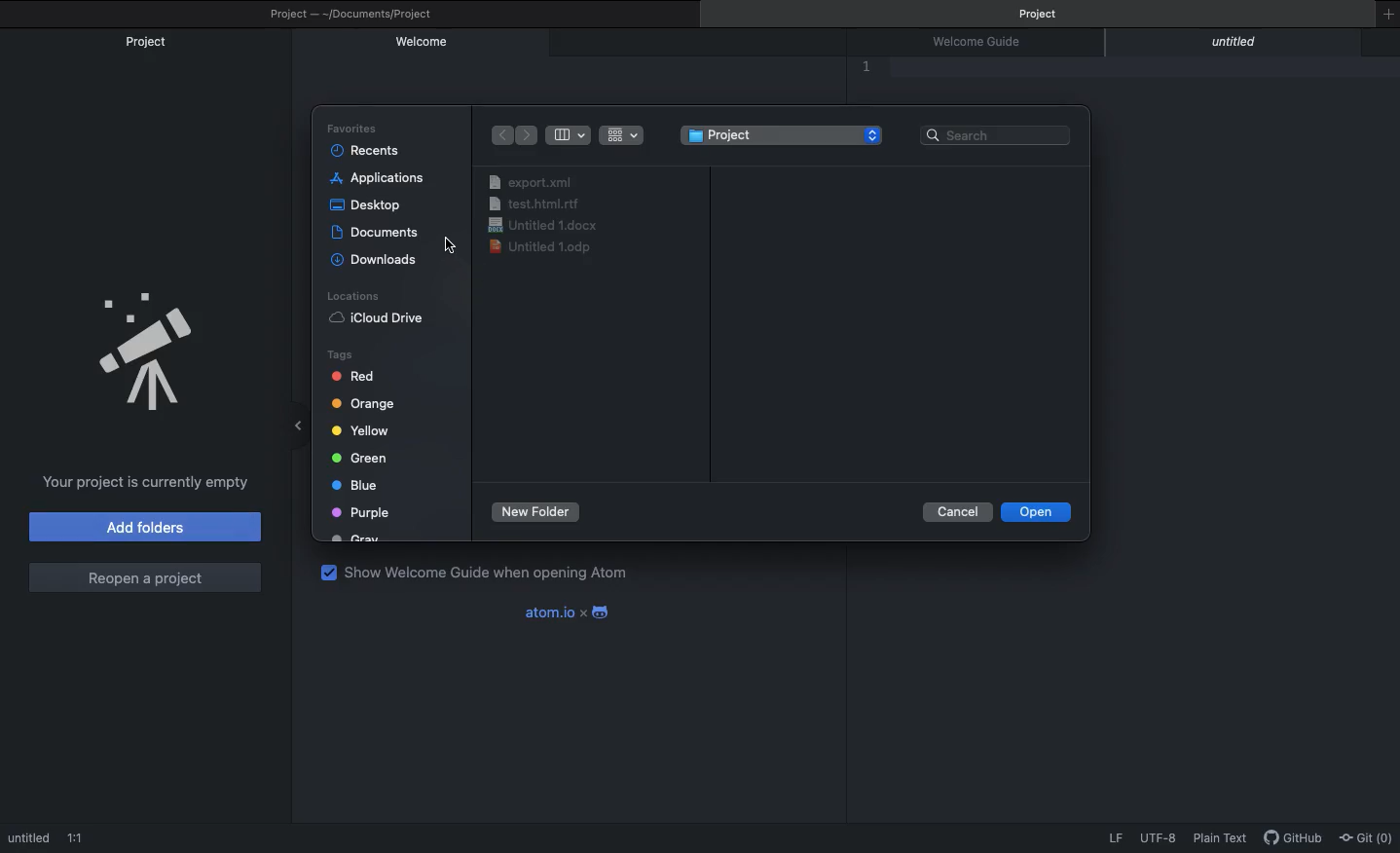 The width and height of the screenshot is (1400, 853). I want to click on Applications, so click(382, 178).